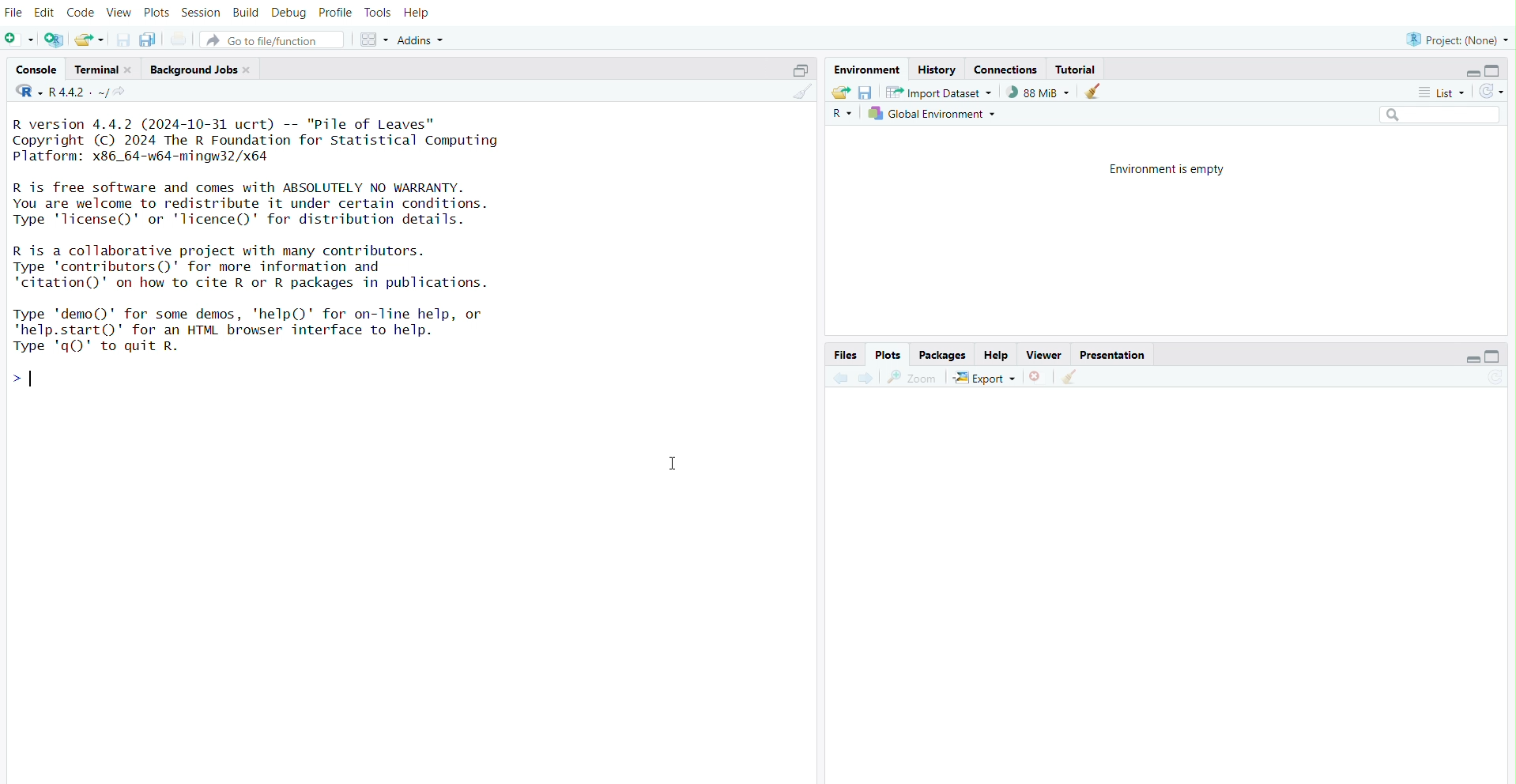 This screenshot has height=784, width=1516. What do you see at coordinates (1468, 357) in the screenshot?
I see `minimize` at bounding box center [1468, 357].